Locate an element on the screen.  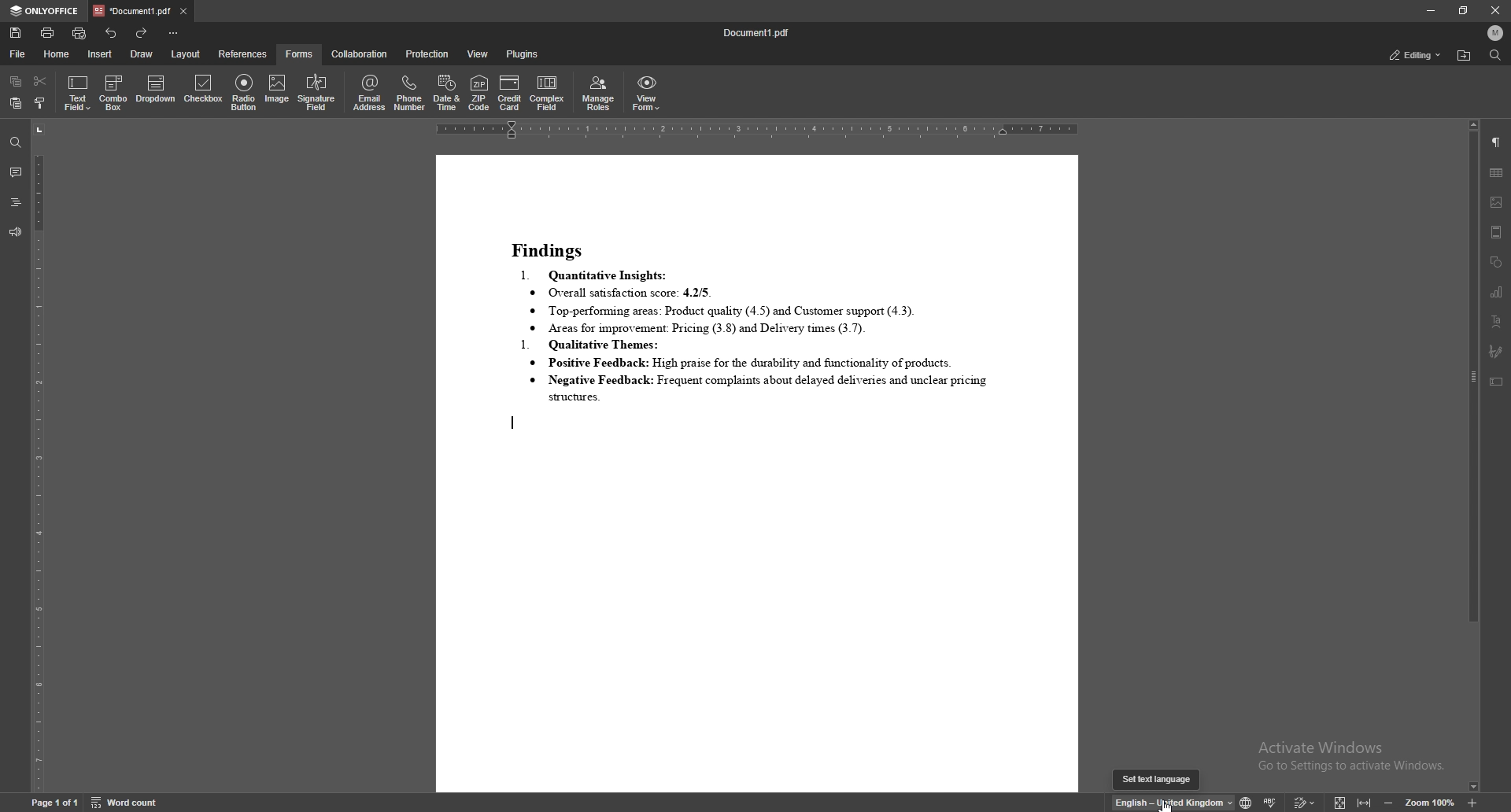
references is located at coordinates (244, 54).